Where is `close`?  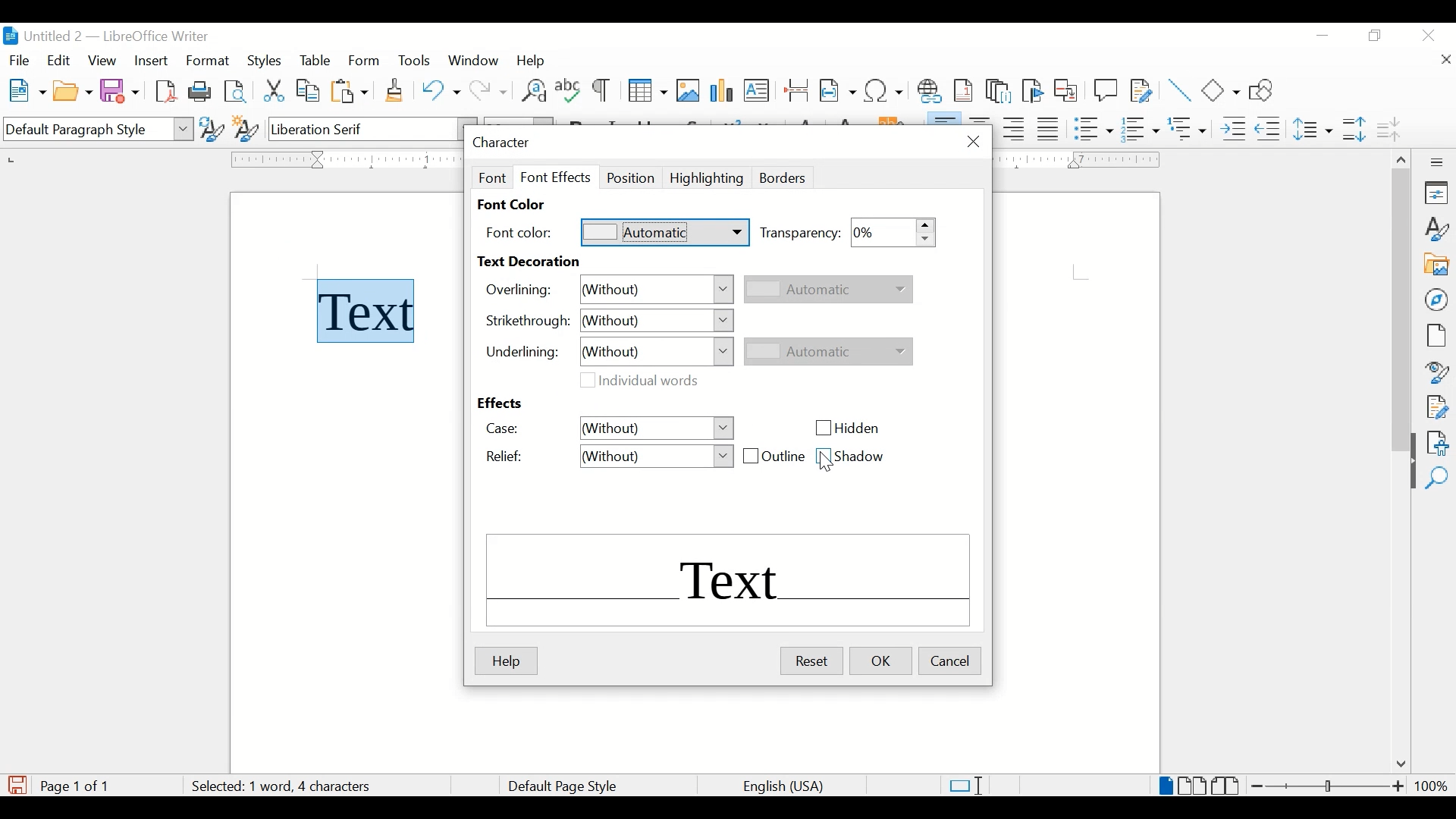
close is located at coordinates (1429, 34).